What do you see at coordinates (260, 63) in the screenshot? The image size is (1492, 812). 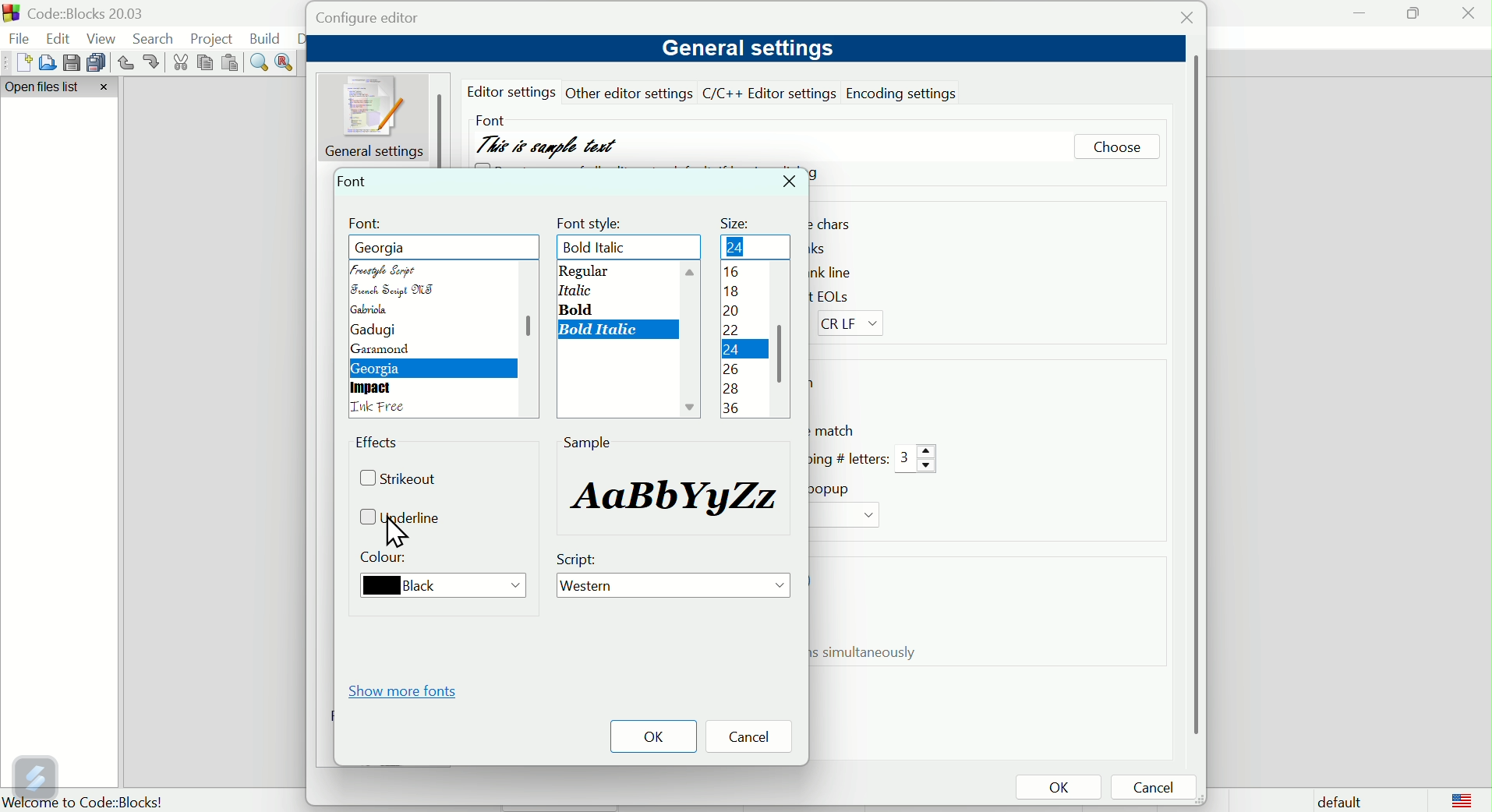 I see `Find` at bounding box center [260, 63].